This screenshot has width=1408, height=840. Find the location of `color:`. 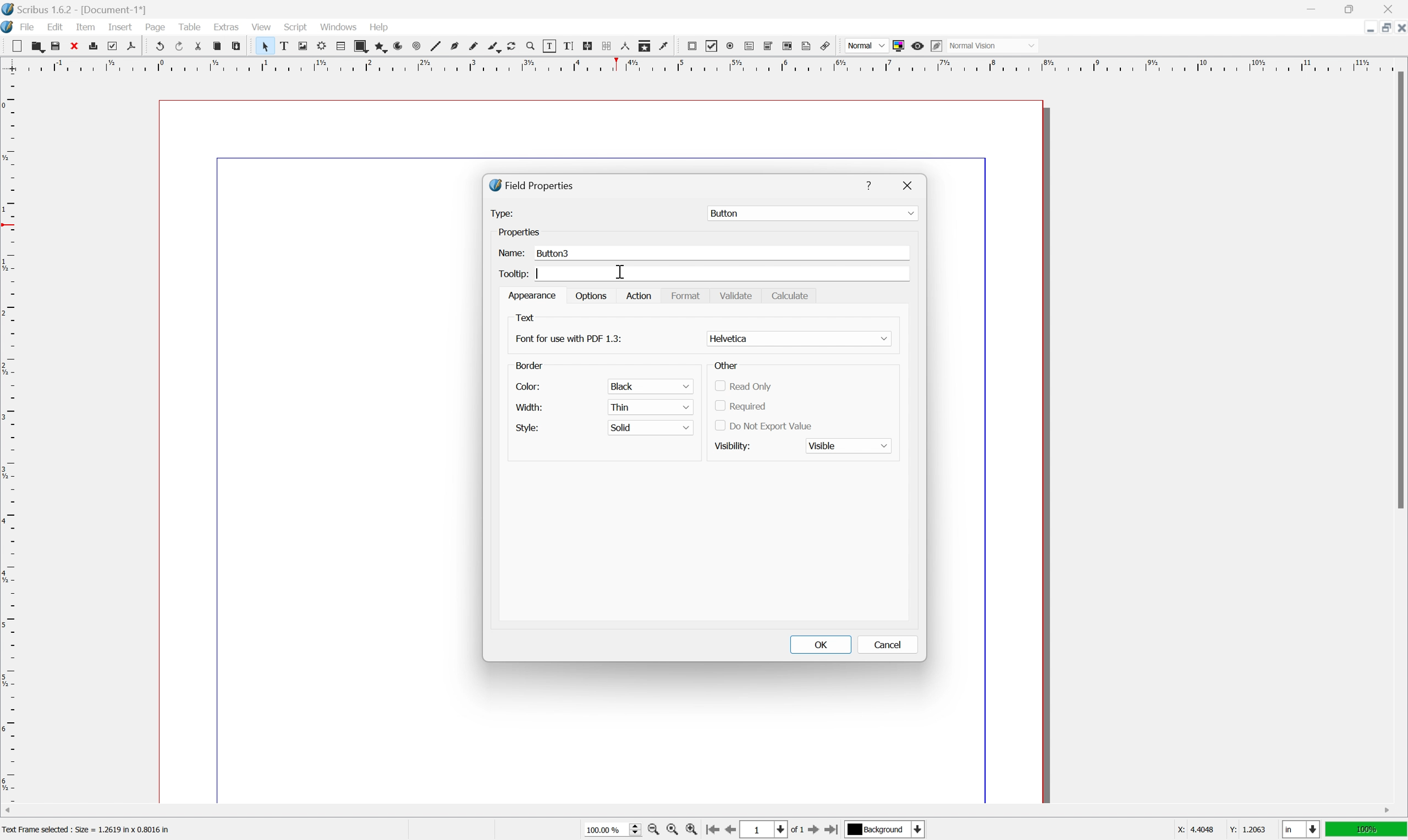

color: is located at coordinates (525, 387).